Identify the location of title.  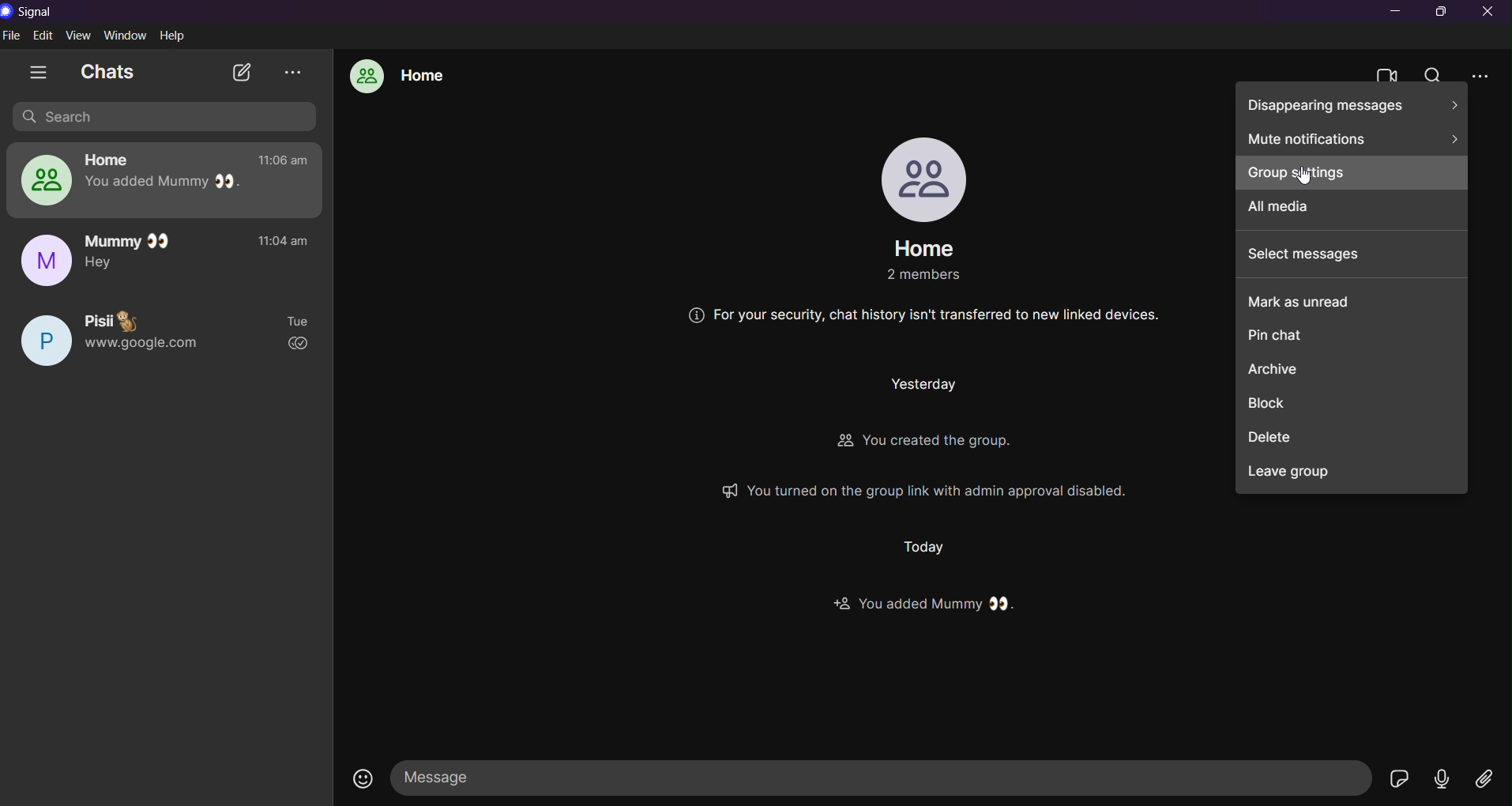
(37, 13).